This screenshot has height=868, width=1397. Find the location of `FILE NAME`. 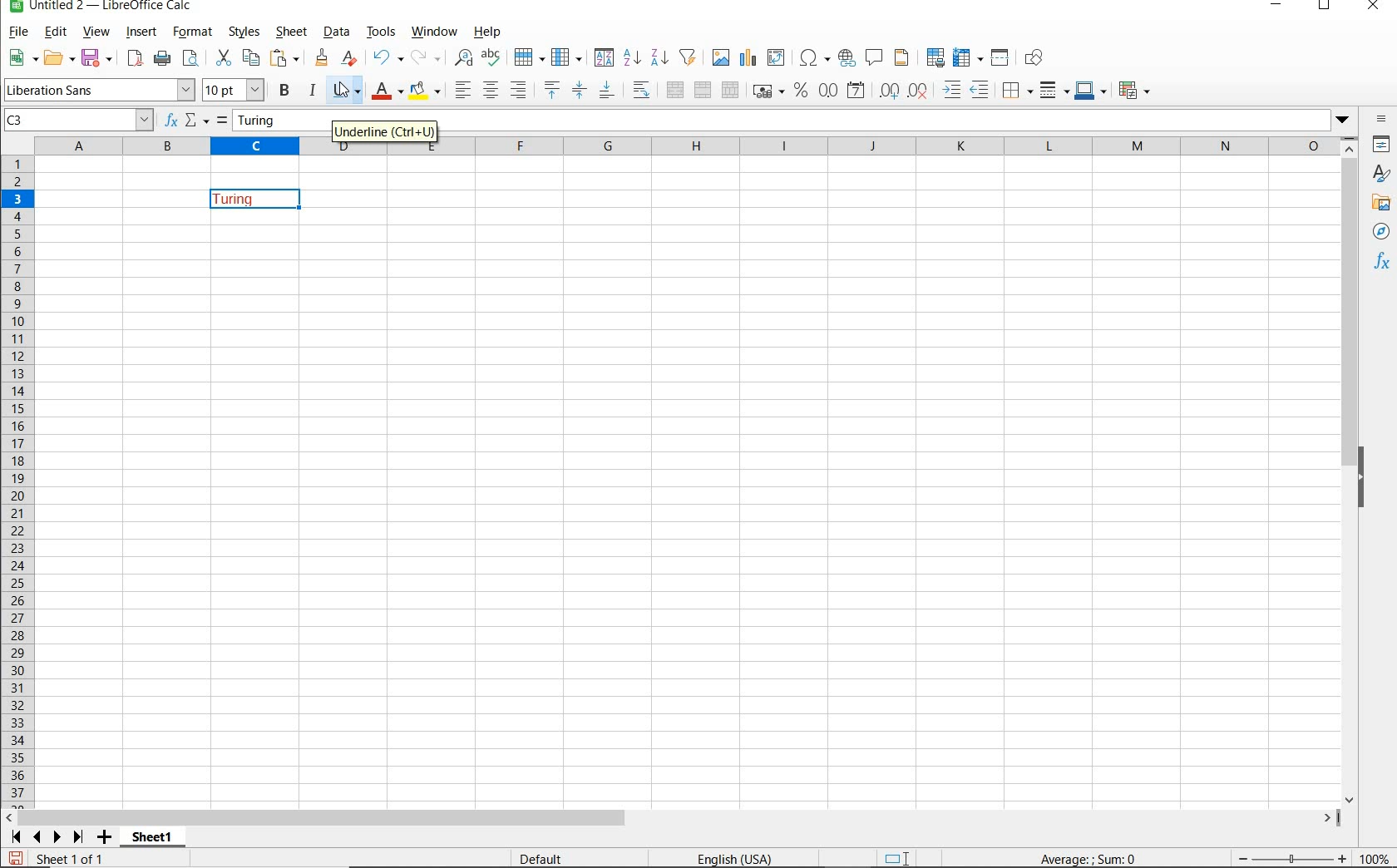

FILE NAME is located at coordinates (101, 8).